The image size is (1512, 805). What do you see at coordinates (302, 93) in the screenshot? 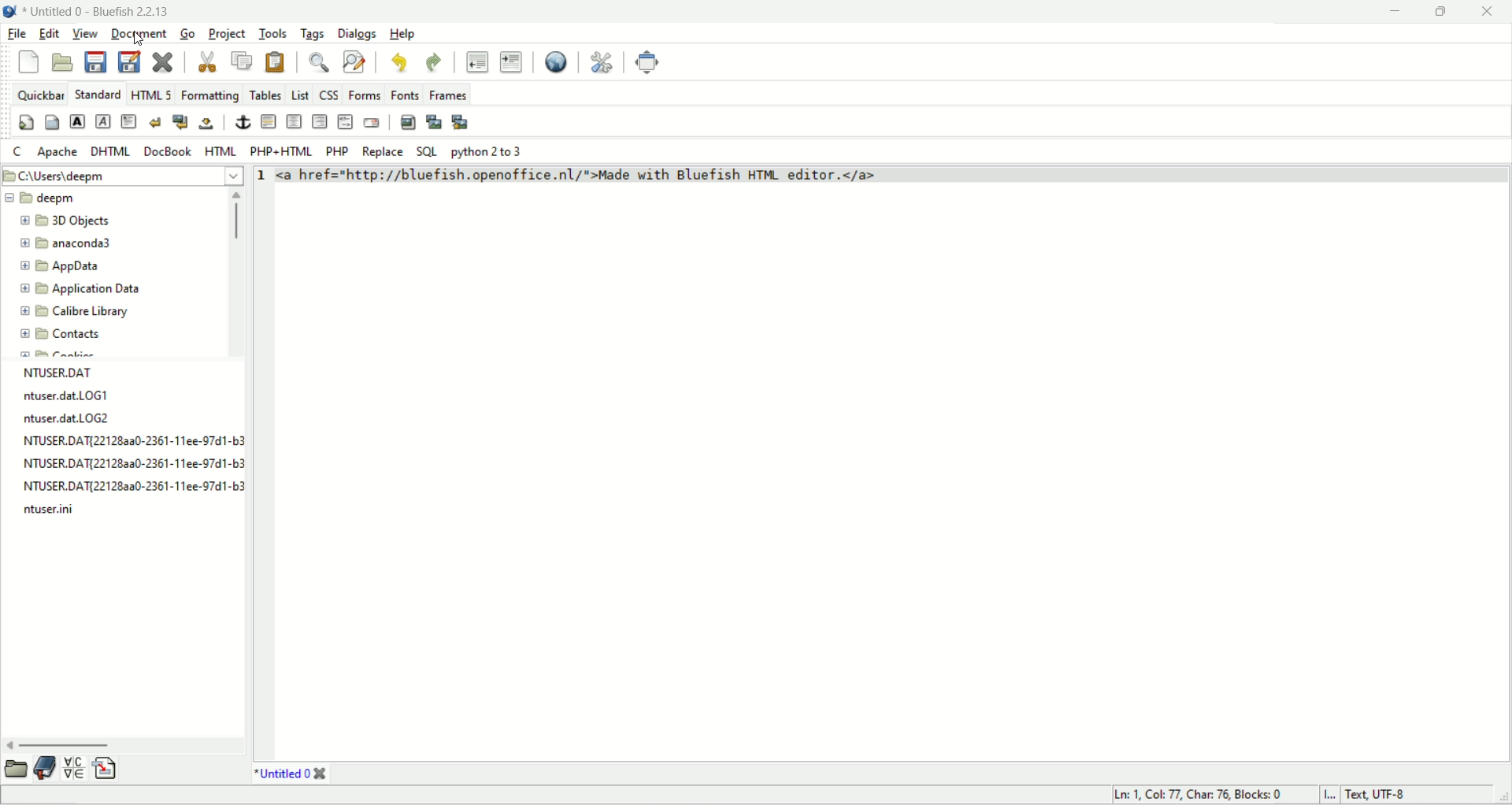
I see `list` at bounding box center [302, 93].